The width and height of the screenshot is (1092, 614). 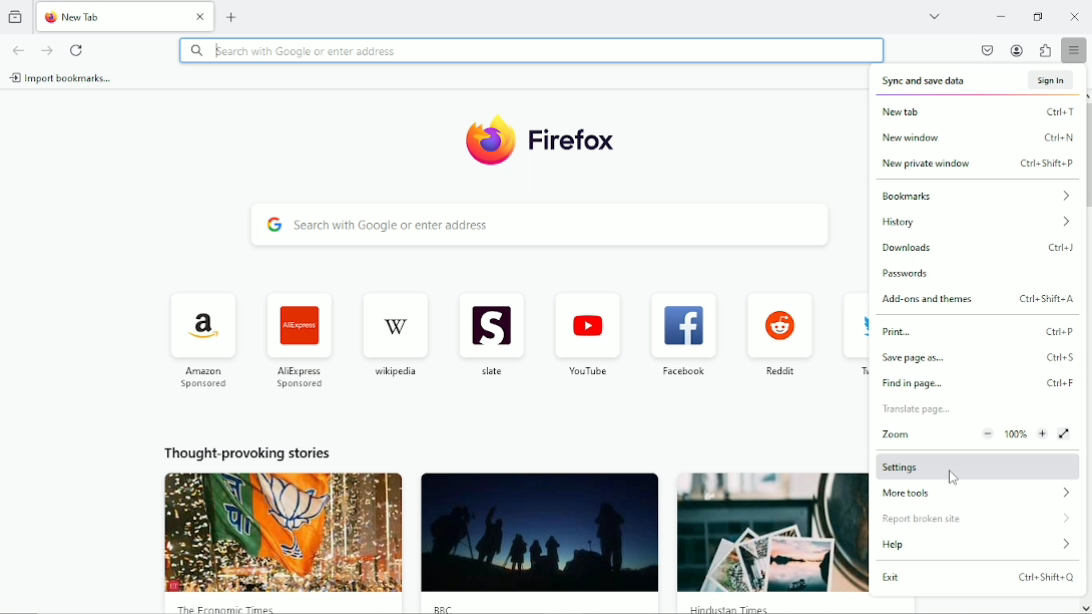 What do you see at coordinates (975, 519) in the screenshot?
I see `Report broken site >` at bounding box center [975, 519].